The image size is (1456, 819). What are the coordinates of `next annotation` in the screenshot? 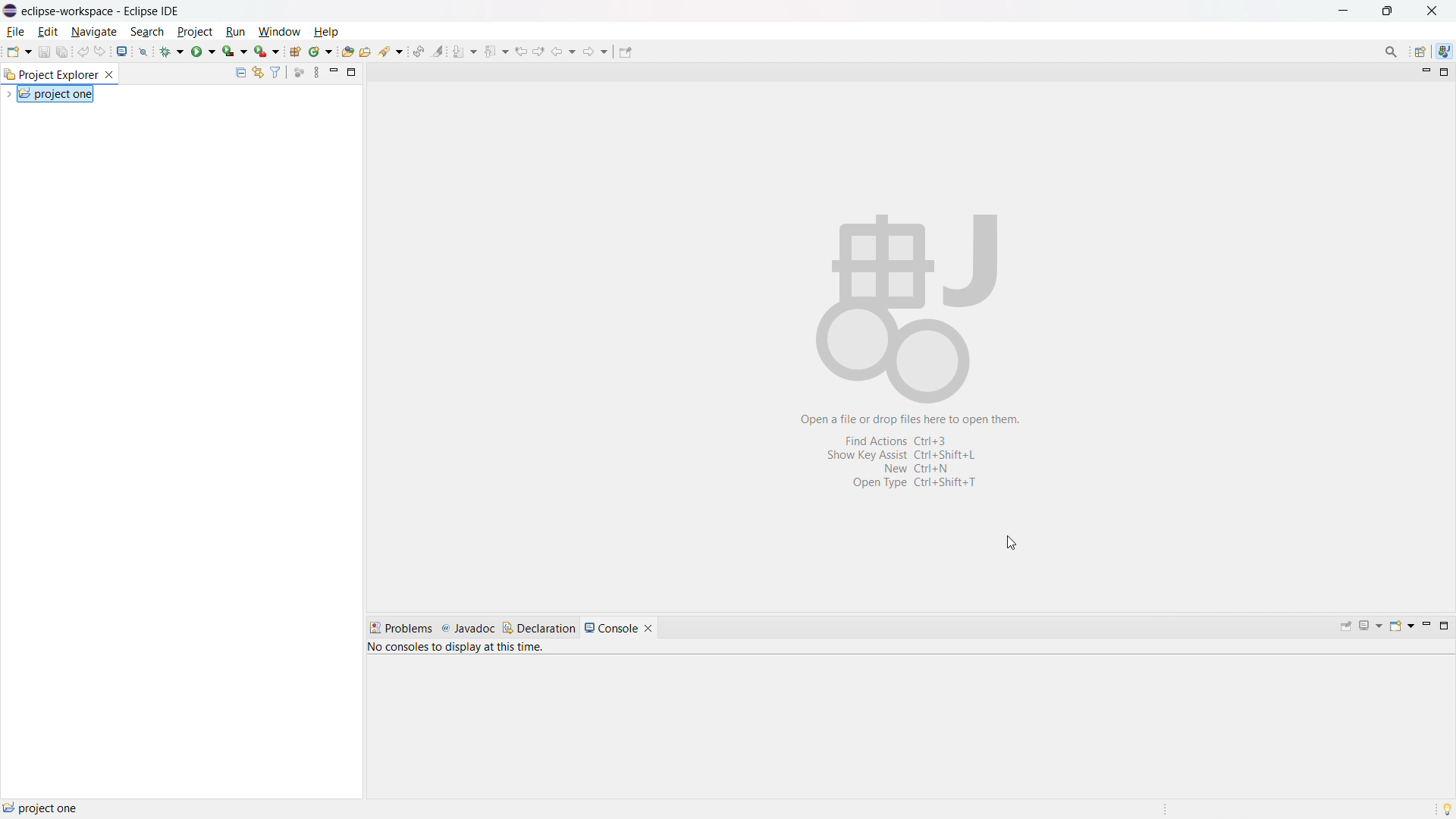 It's located at (464, 52).